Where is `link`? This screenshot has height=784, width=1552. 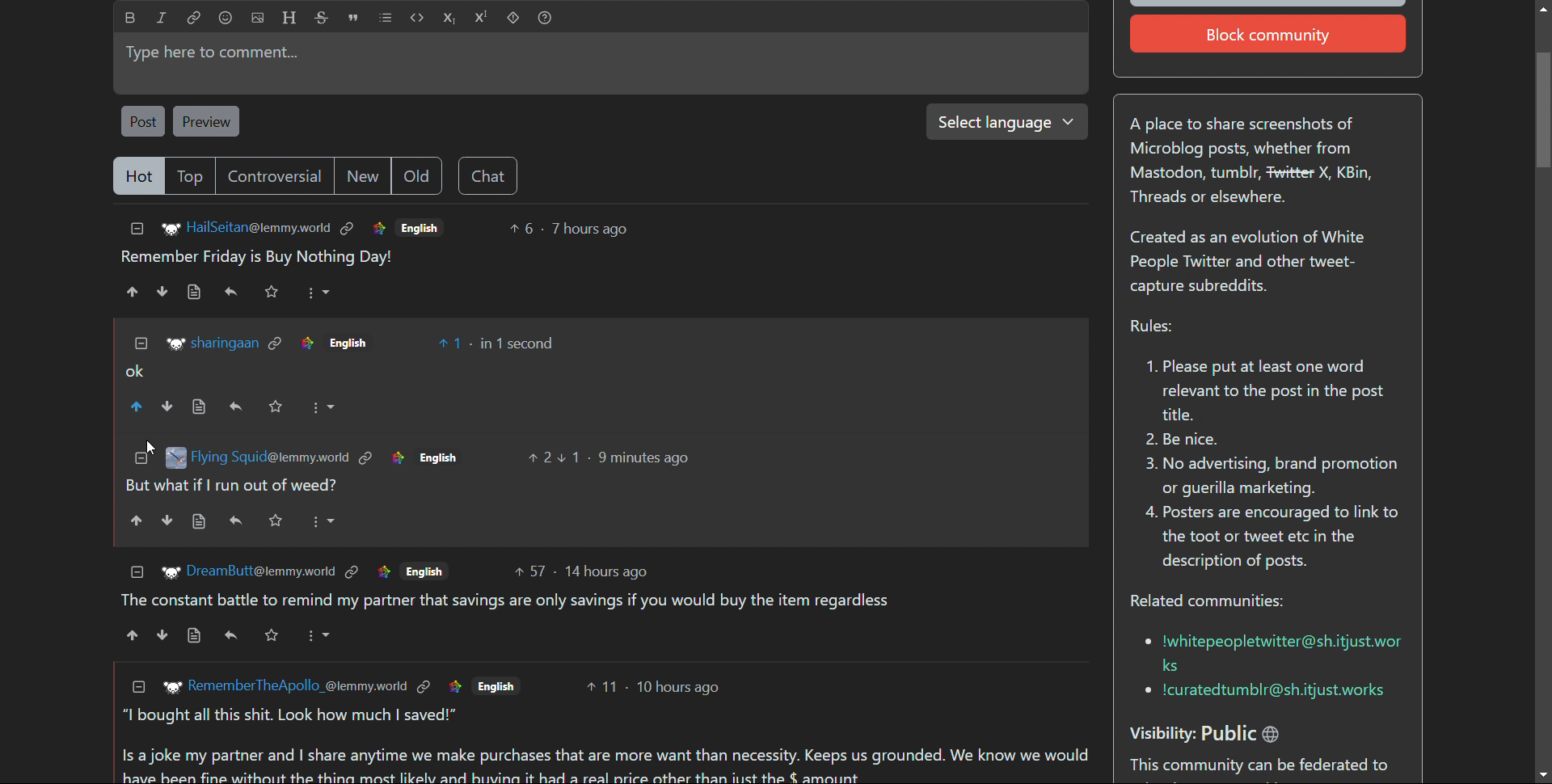 link is located at coordinates (365, 455).